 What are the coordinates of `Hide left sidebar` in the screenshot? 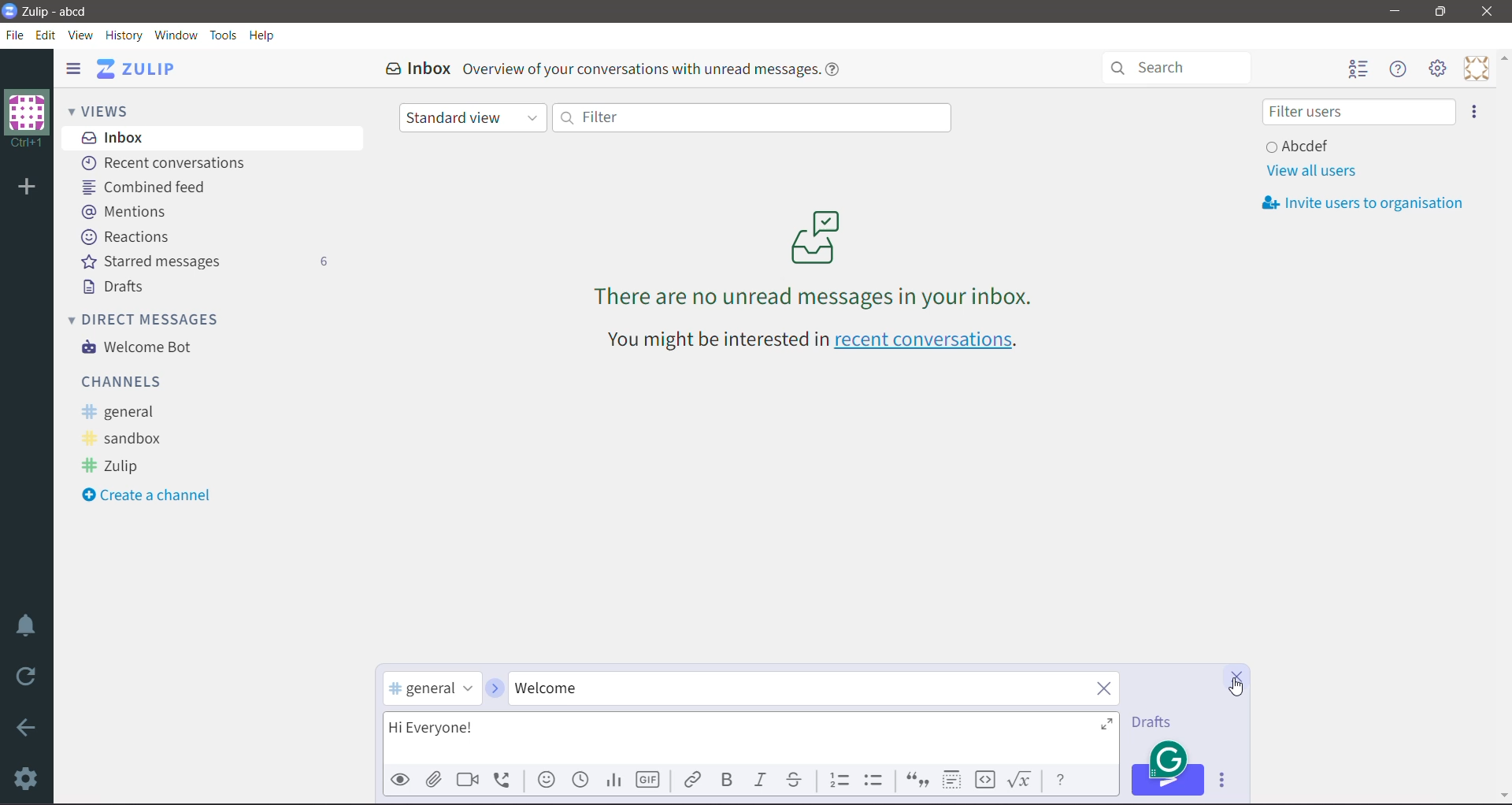 It's located at (72, 68).